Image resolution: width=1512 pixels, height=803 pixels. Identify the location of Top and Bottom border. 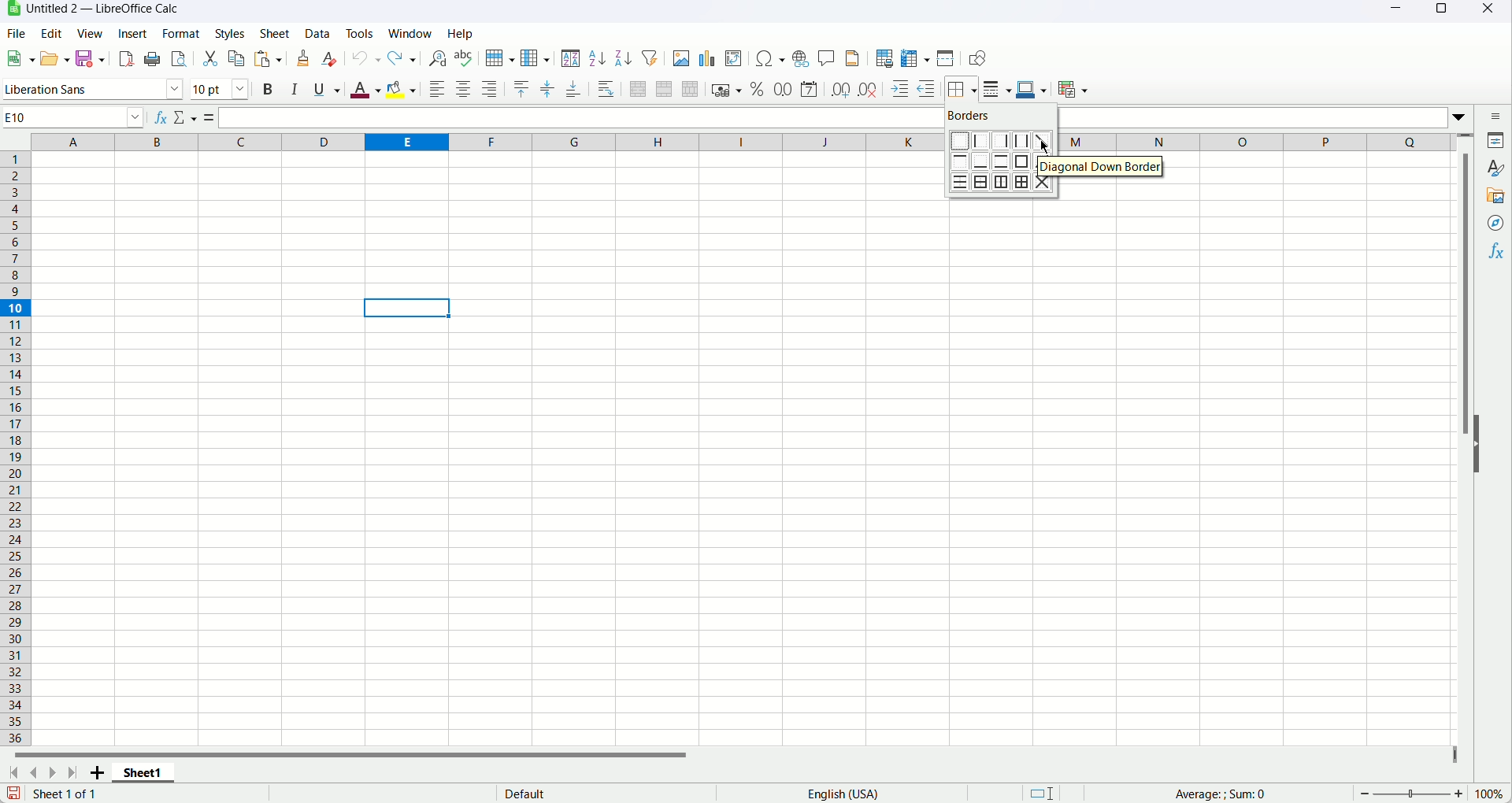
(1002, 161).